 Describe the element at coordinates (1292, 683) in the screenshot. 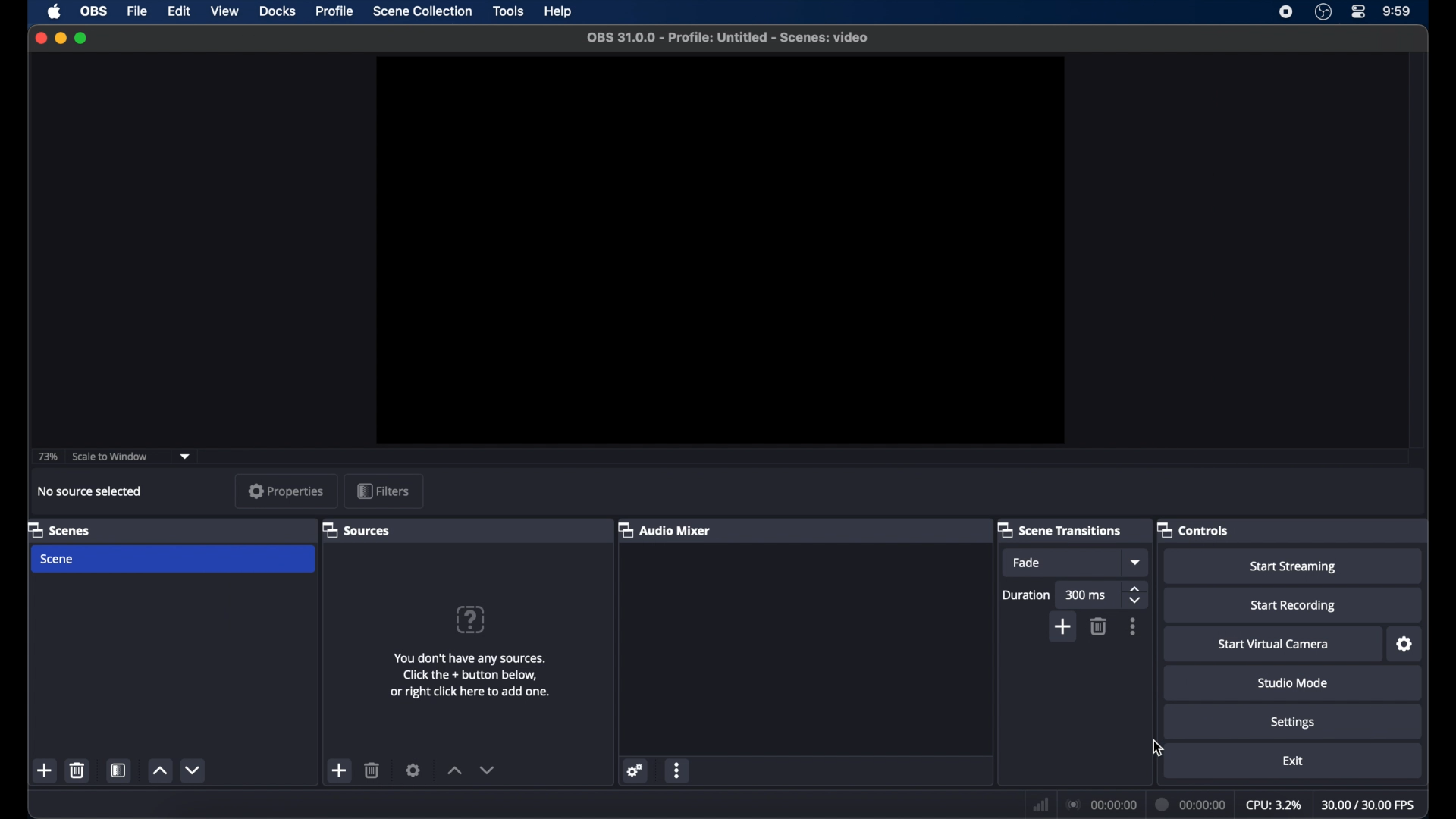

I see `studio mode` at that location.